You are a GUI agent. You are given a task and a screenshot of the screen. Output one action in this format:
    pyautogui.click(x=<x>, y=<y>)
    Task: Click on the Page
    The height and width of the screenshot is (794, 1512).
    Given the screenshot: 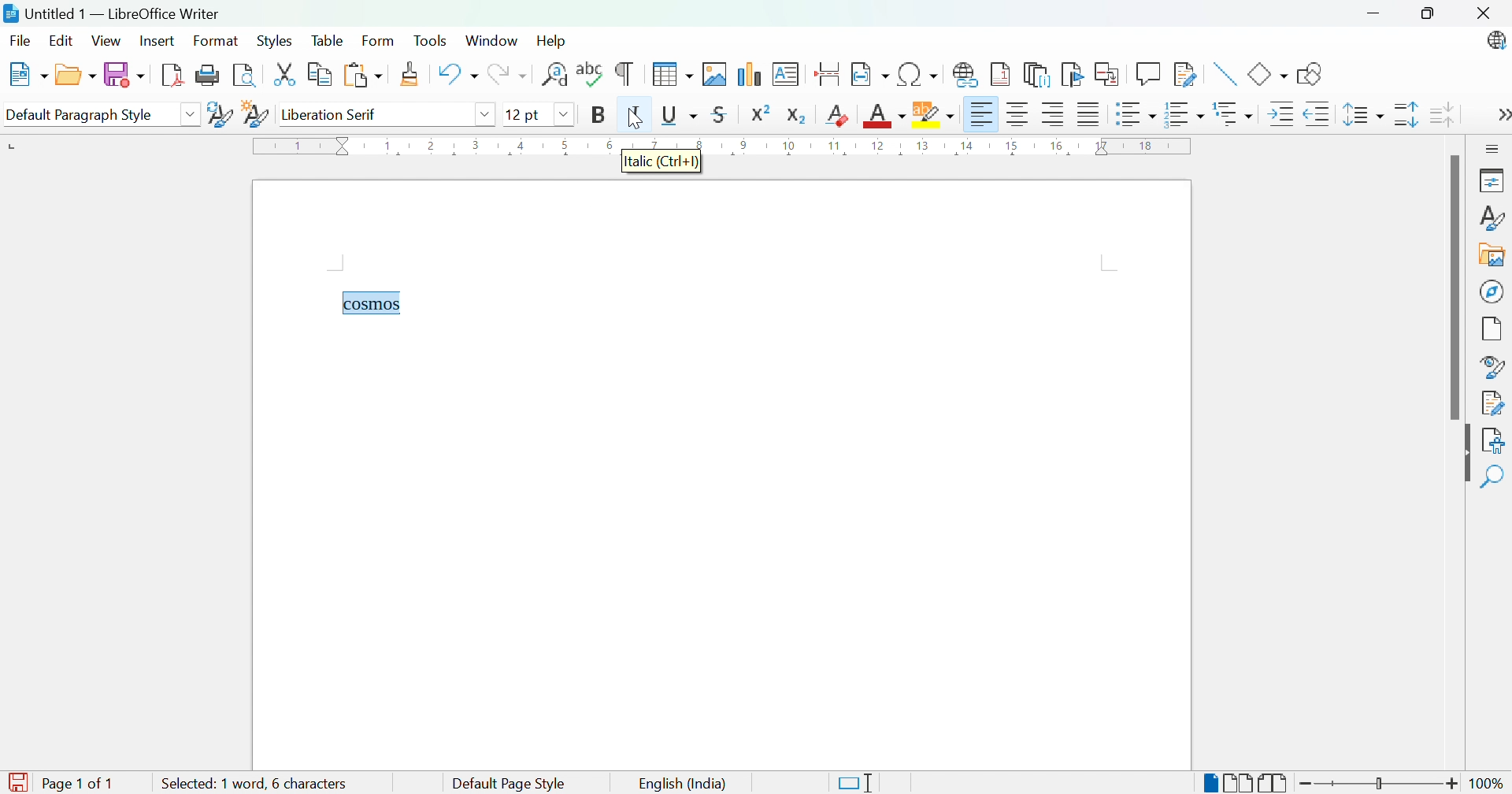 What is the action you would take?
    pyautogui.click(x=1492, y=331)
    